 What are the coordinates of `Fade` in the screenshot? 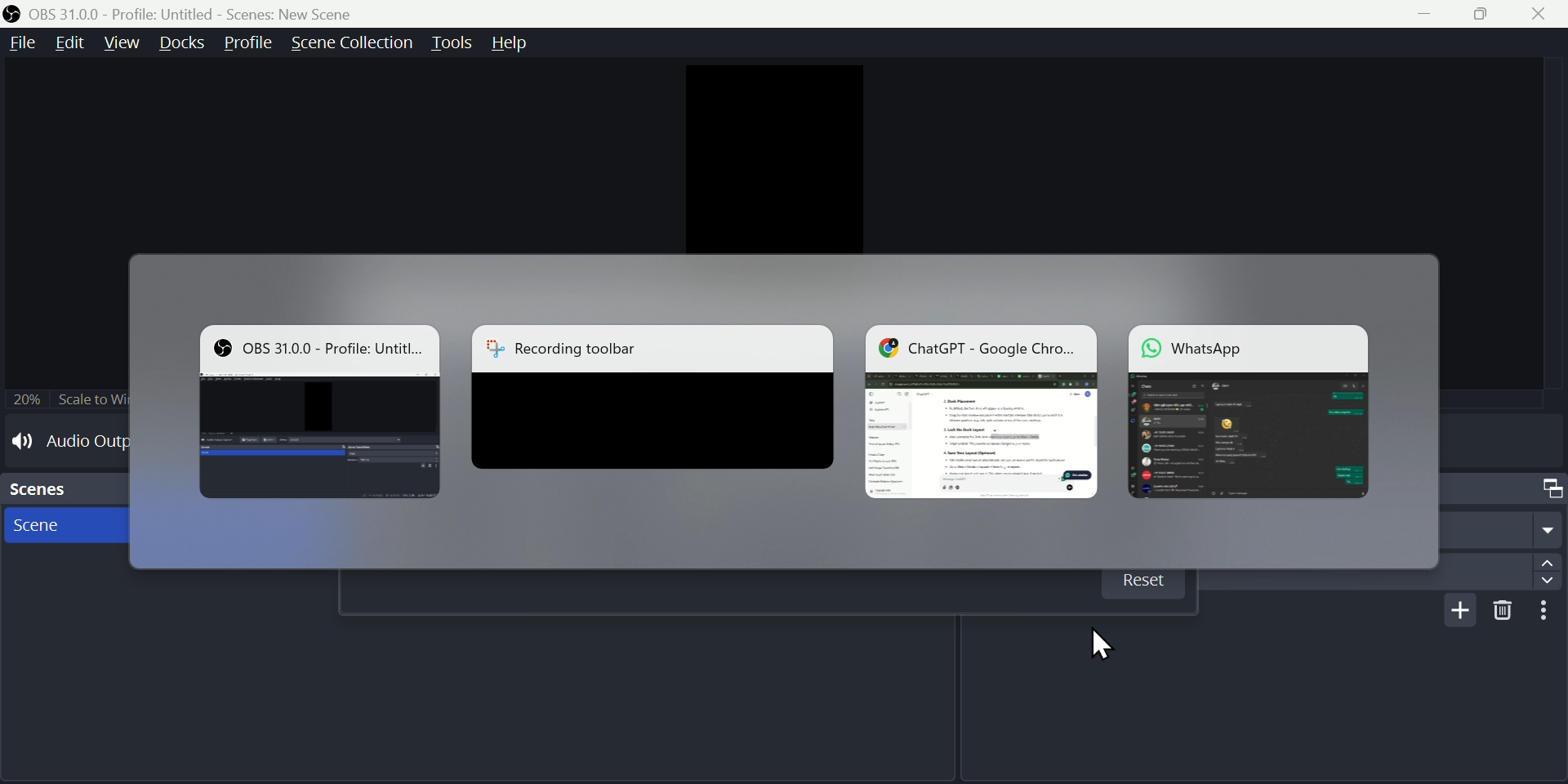 It's located at (1503, 530).